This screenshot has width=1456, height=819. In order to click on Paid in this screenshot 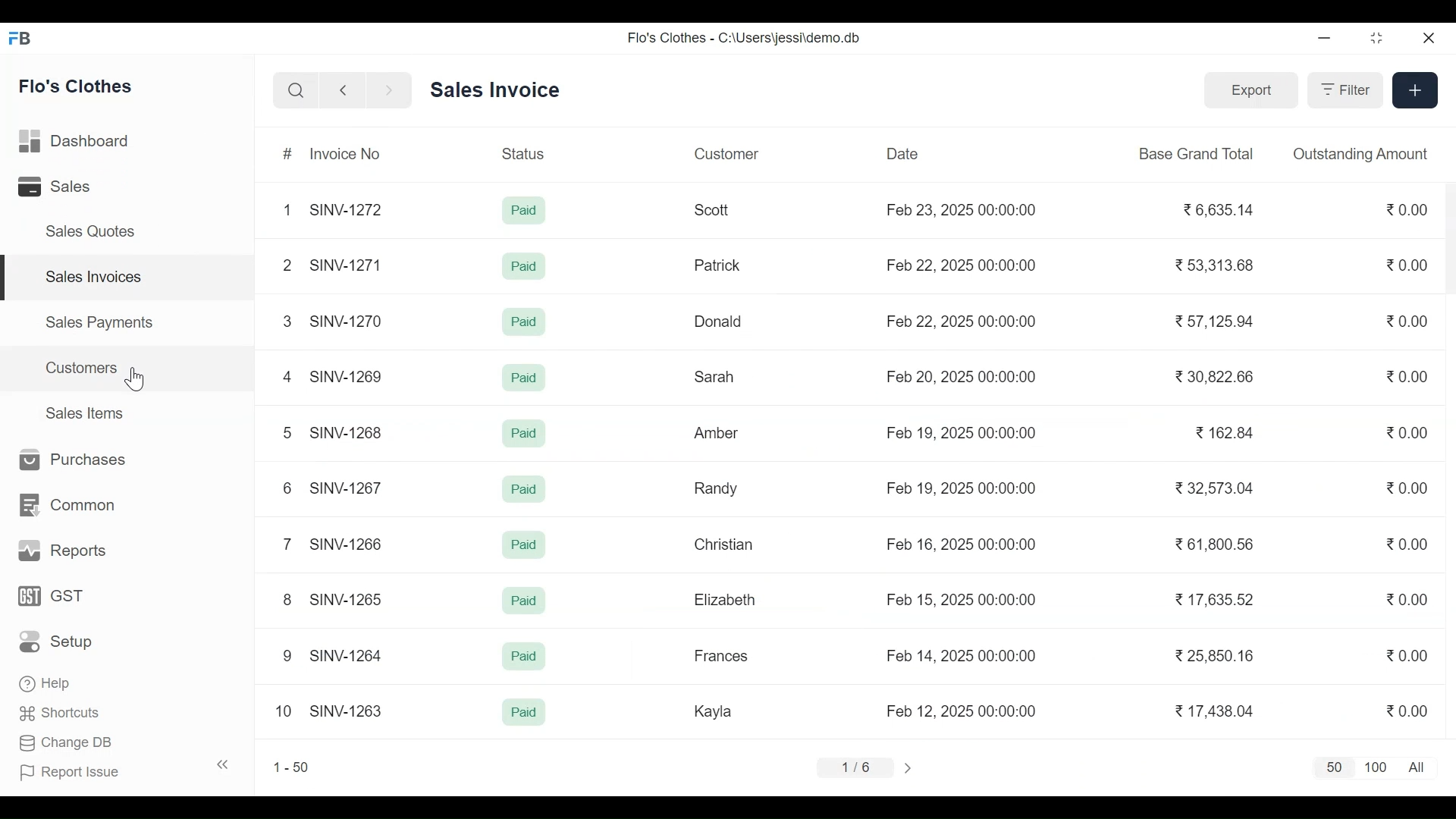, I will do `click(525, 321)`.